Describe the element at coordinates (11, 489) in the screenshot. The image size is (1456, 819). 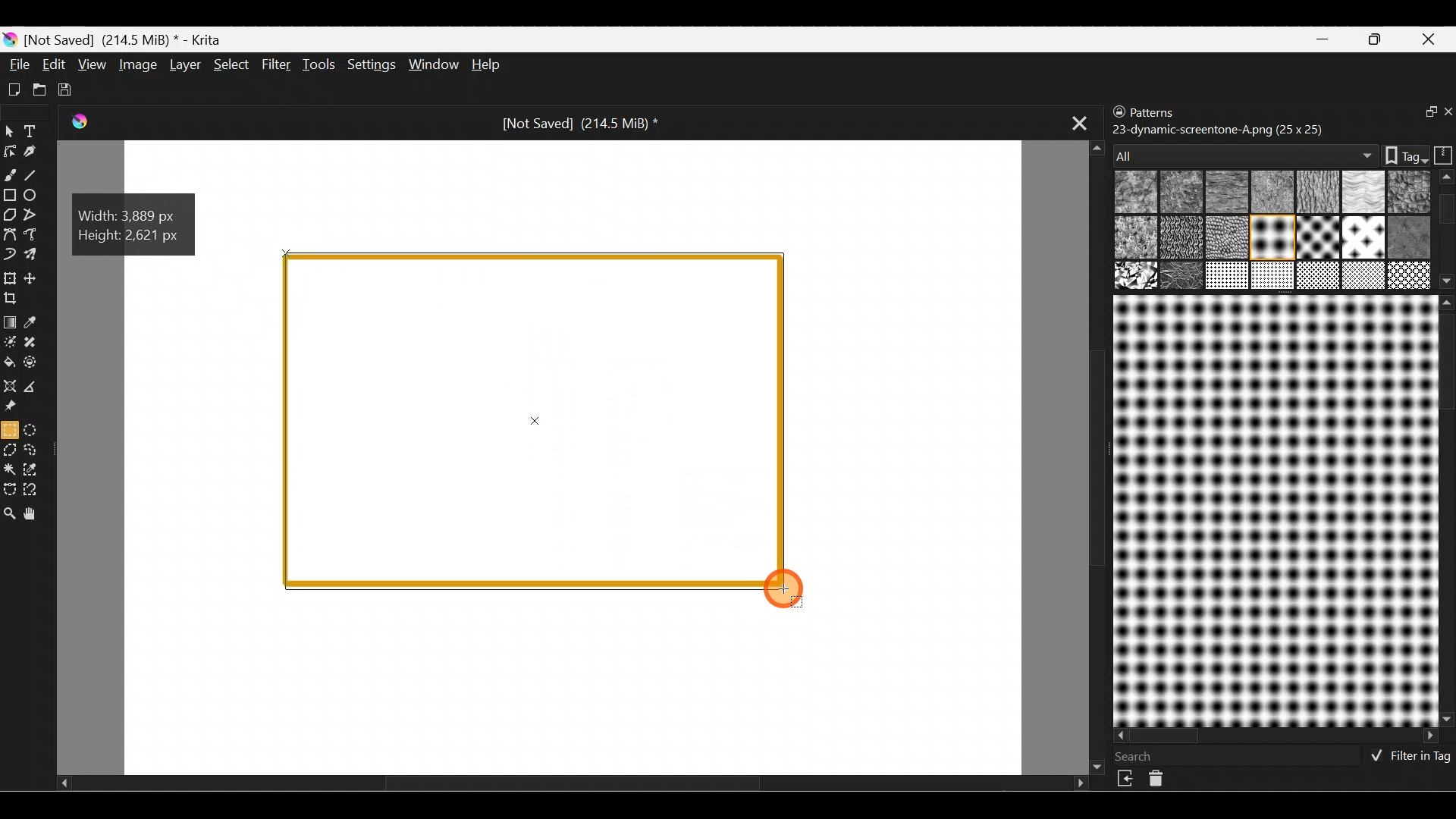
I see `Bezier curve selection tool` at that location.